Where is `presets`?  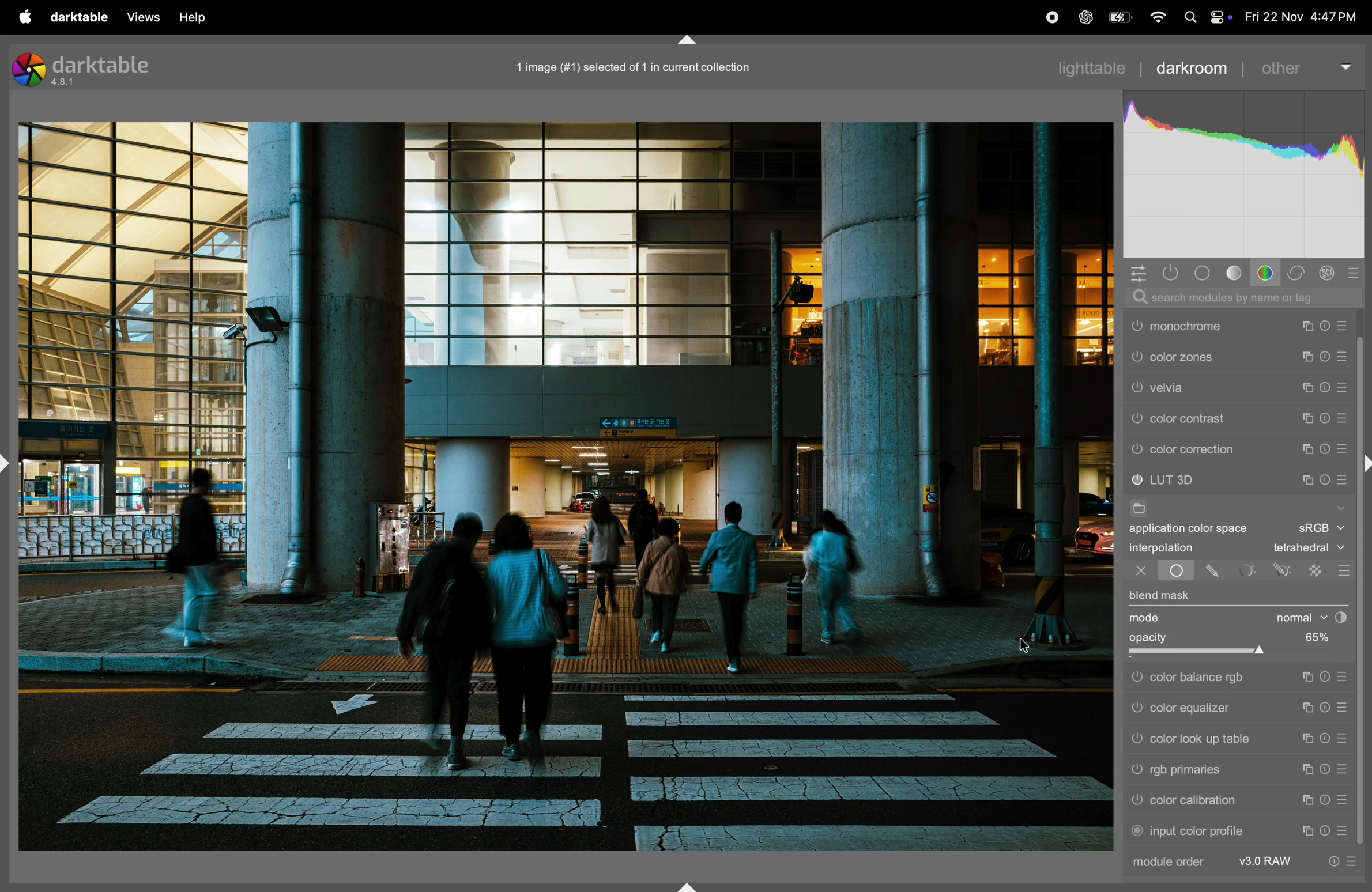
presets is located at coordinates (1341, 770).